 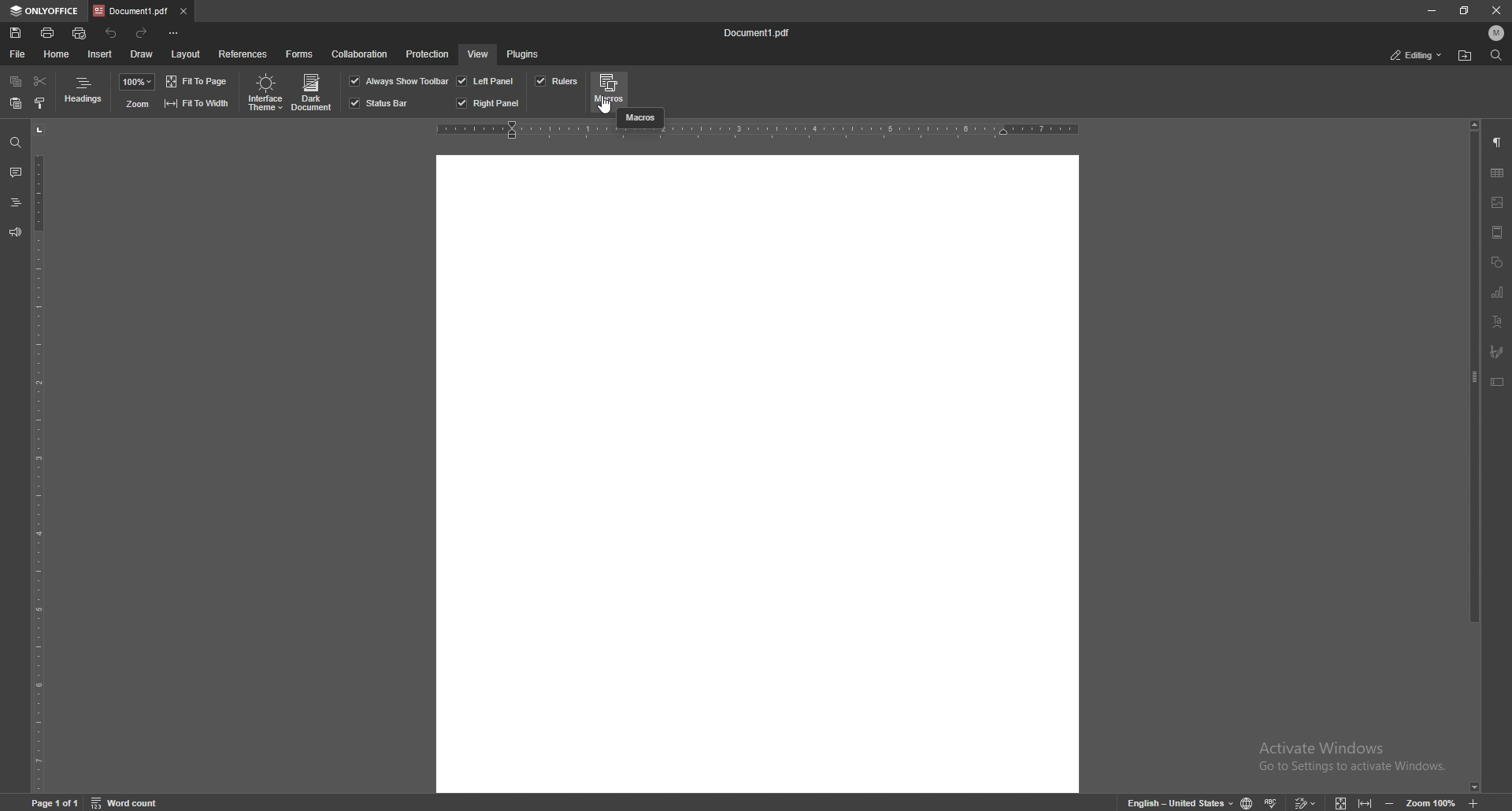 I want to click on save, so click(x=16, y=33).